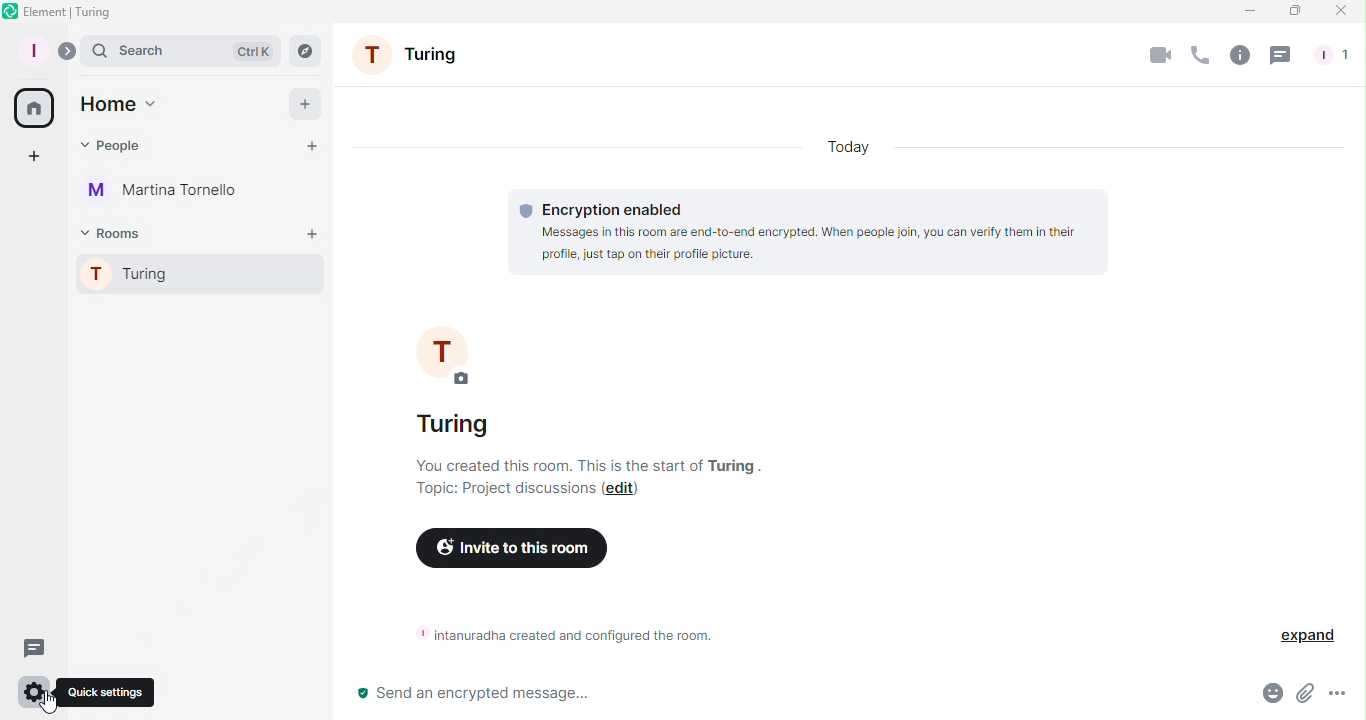 The image size is (1366, 720). Describe the element at coordinates (416, 57) in the screenshot. I see `Room` at that location.